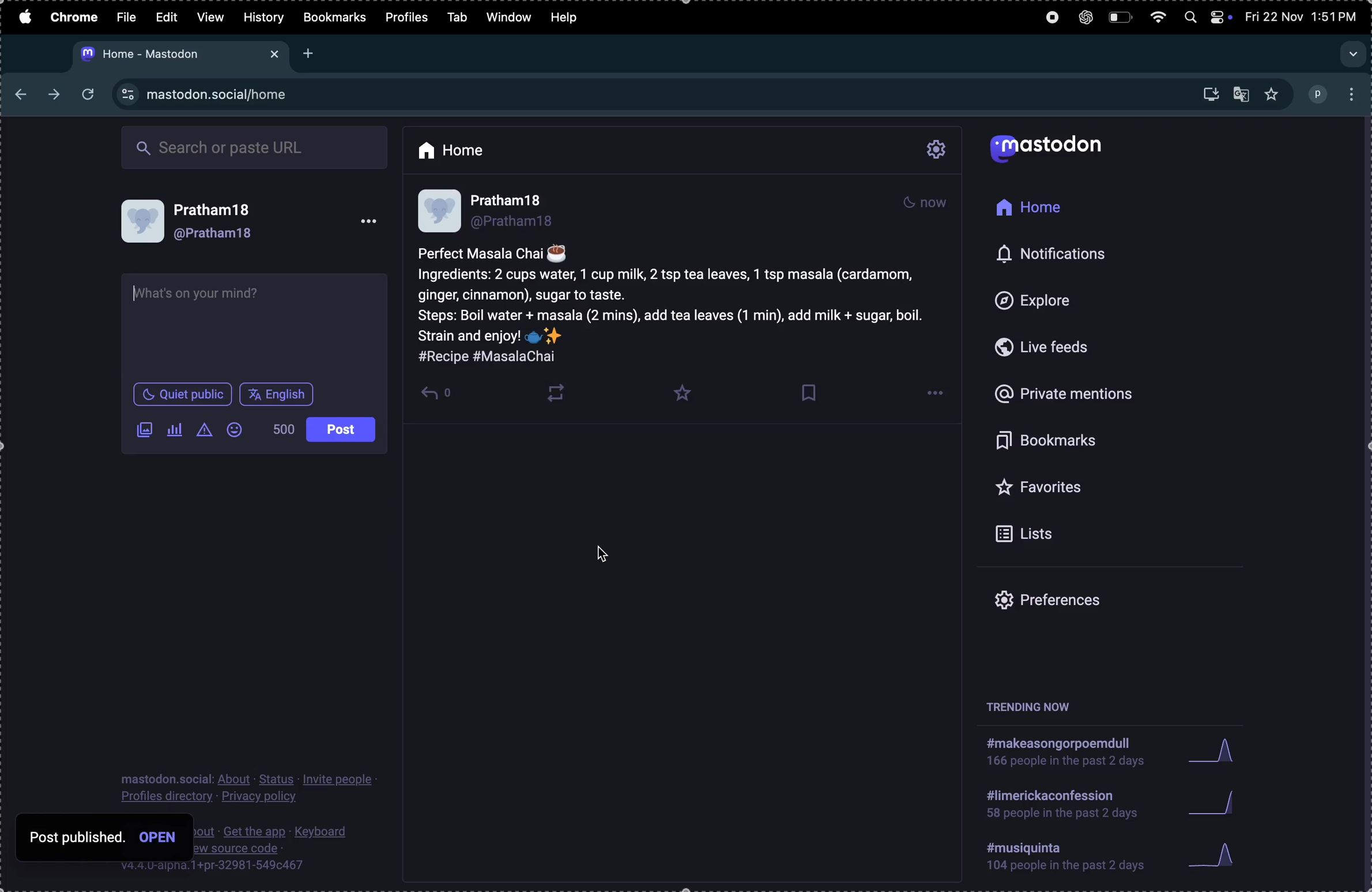 This screenshot has height=892, width=1372. Describe the element at coordinates (202, 430) in the screenshot. I see `content warning` at that location.